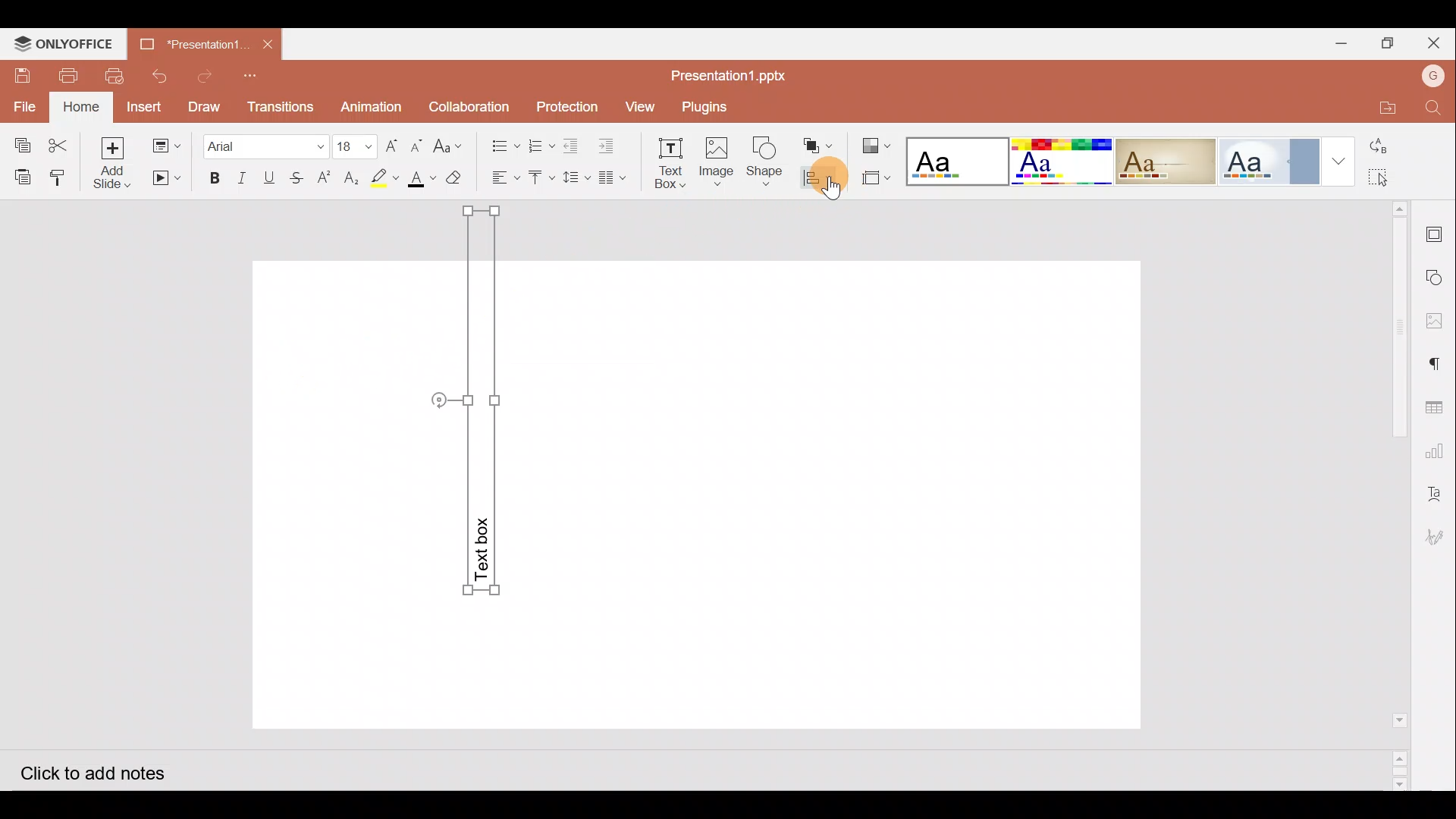 Image resolution: width=1456 pixels, height=819 pixels. I want to click on Bold, so click(209, 179).